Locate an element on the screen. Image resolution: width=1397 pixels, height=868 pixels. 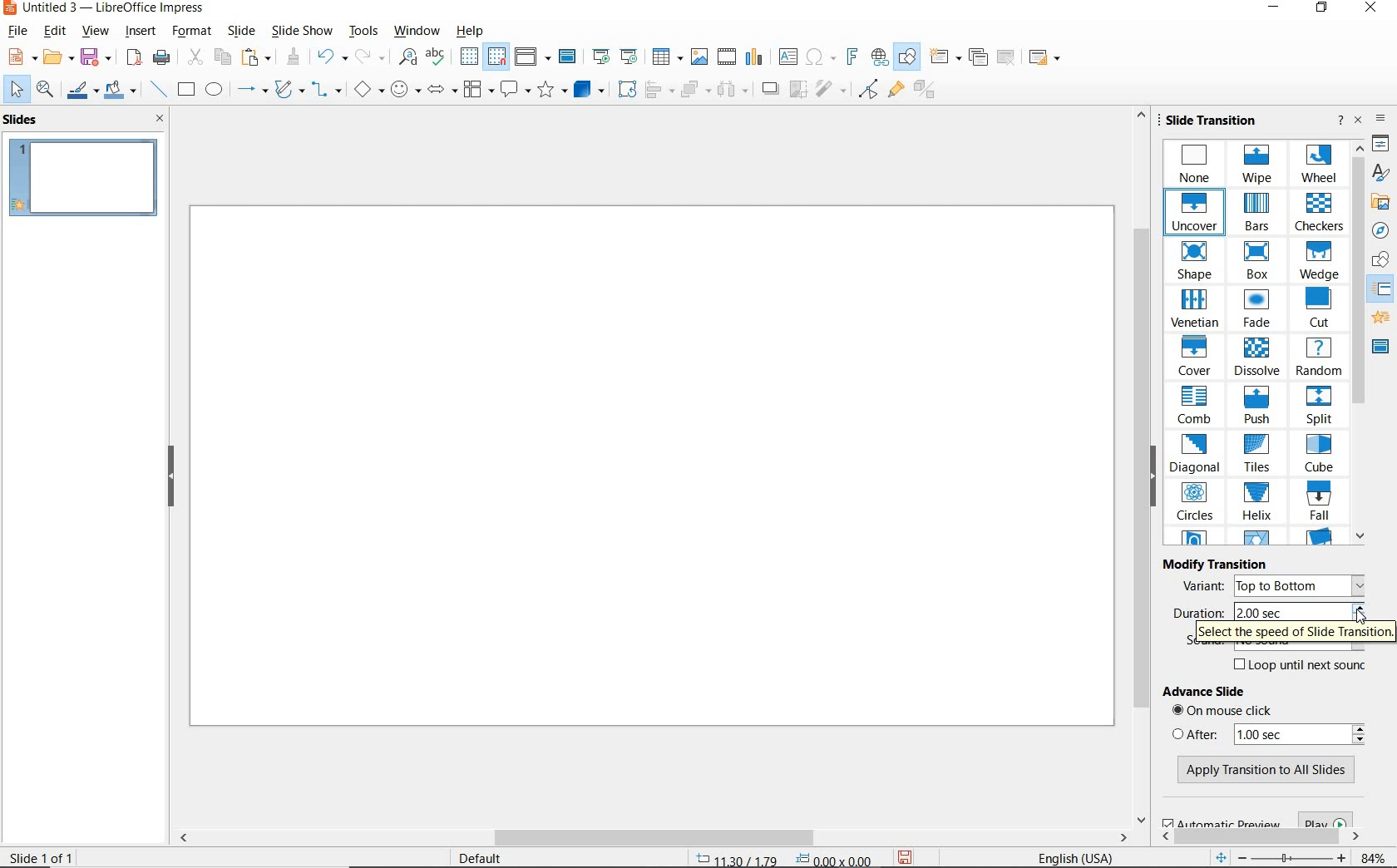
INSERT CHART is located at coordinates (756, 57).